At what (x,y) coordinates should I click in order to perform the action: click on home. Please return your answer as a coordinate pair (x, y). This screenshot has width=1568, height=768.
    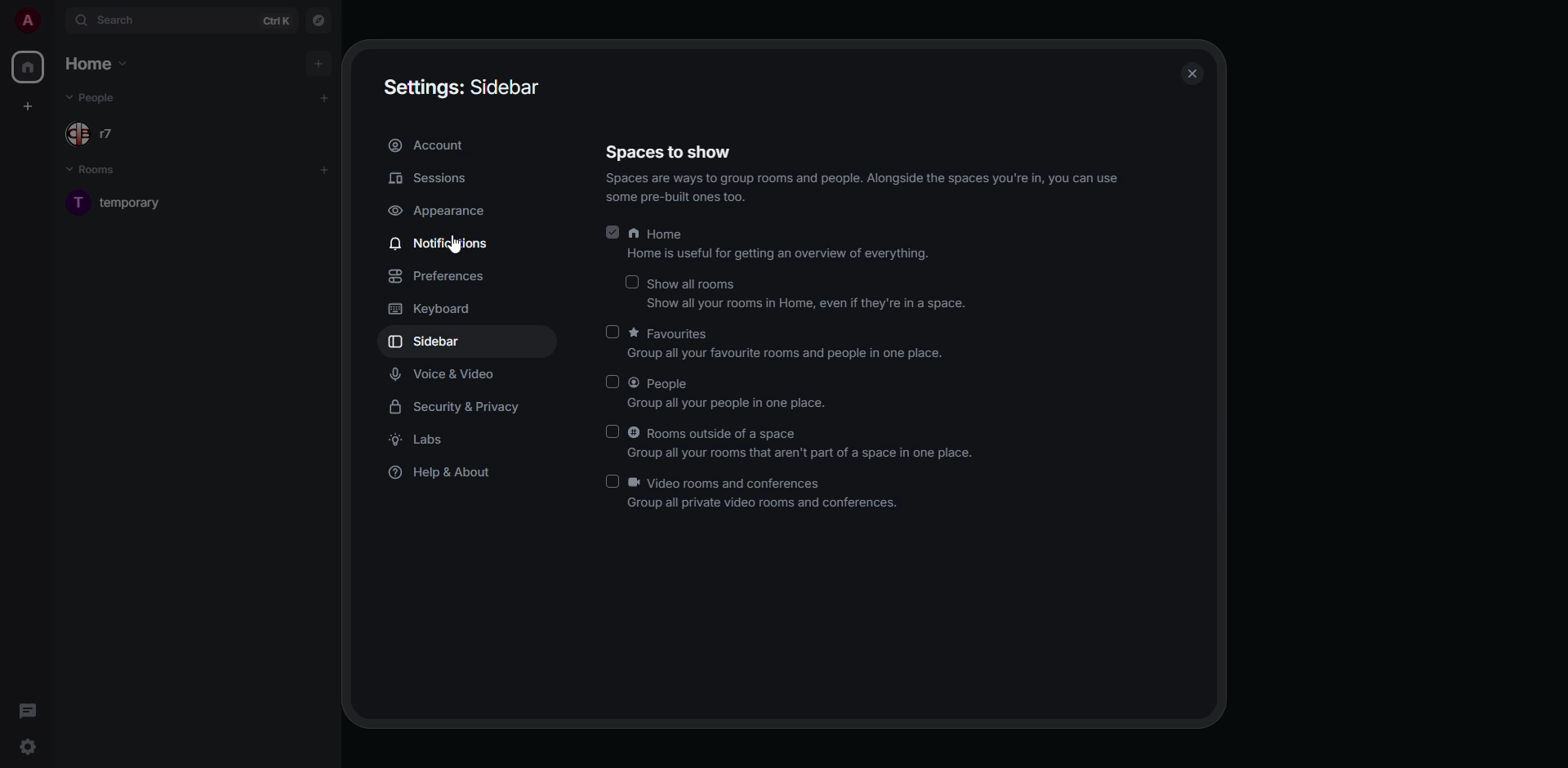
    Looking at the image, I should click on (781, 243).